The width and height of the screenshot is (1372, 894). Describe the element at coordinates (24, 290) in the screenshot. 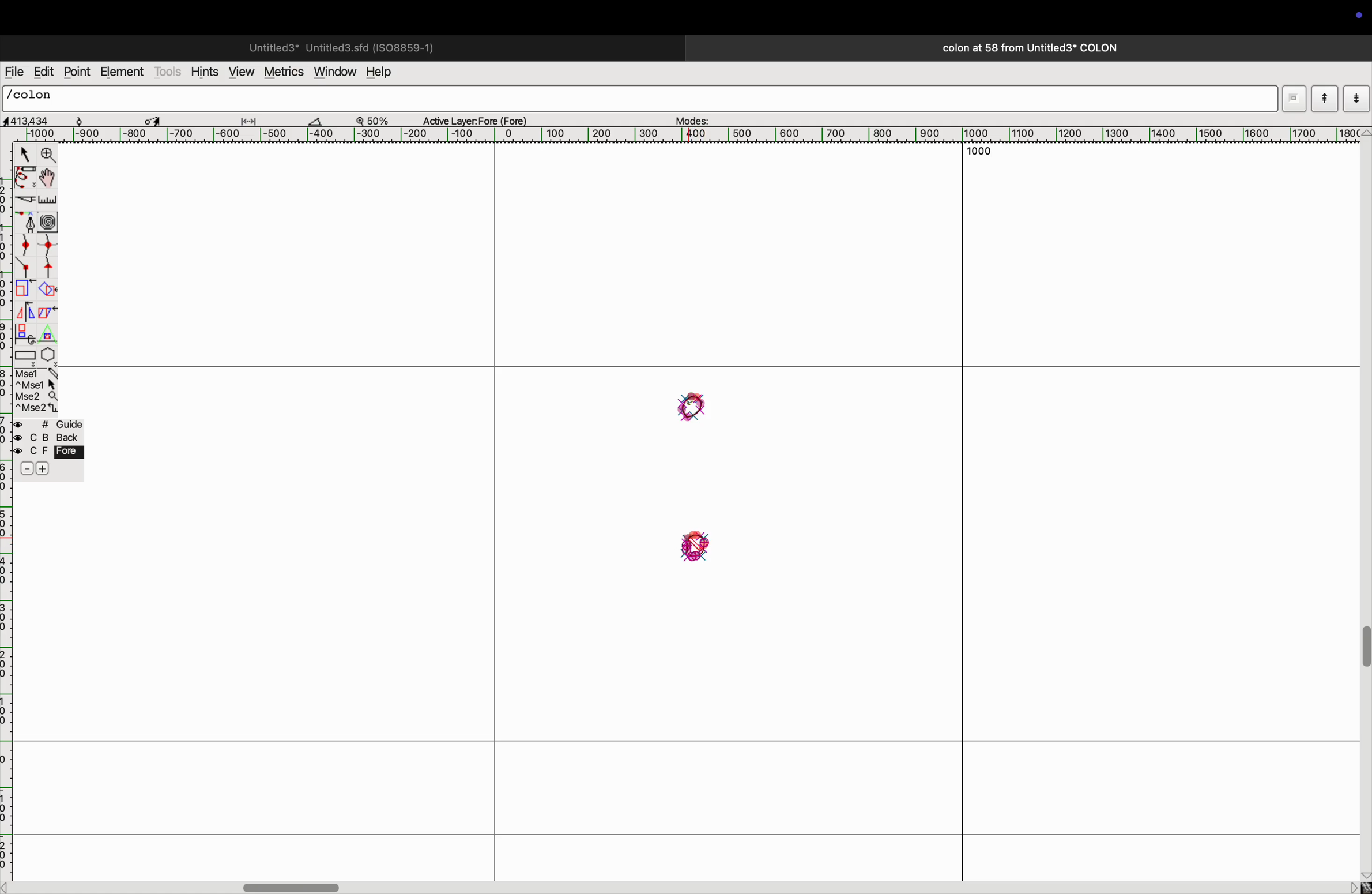

I see `minimize` at that location.